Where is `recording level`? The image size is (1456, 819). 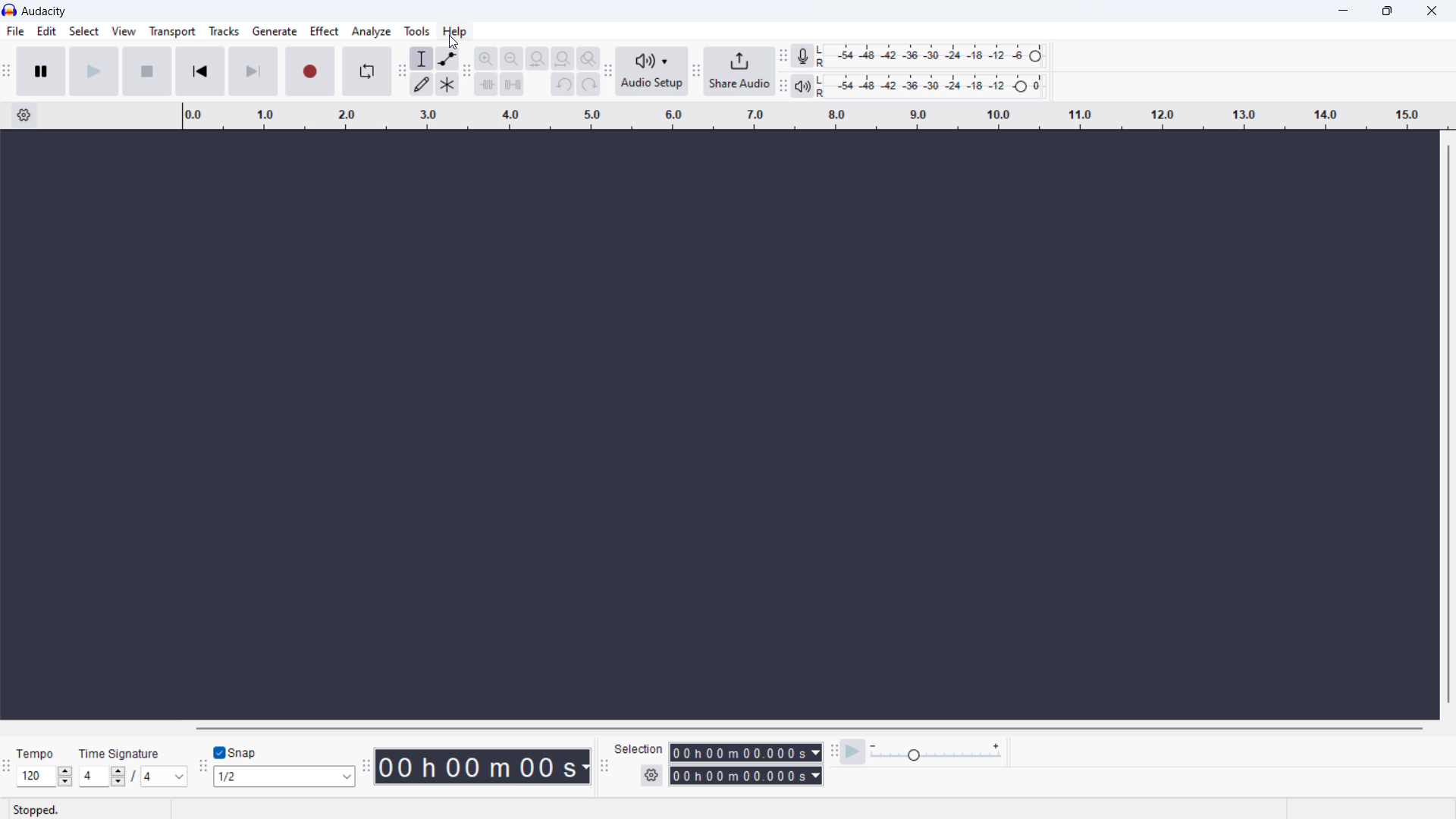 recording level is located at coordinates (929, 56).